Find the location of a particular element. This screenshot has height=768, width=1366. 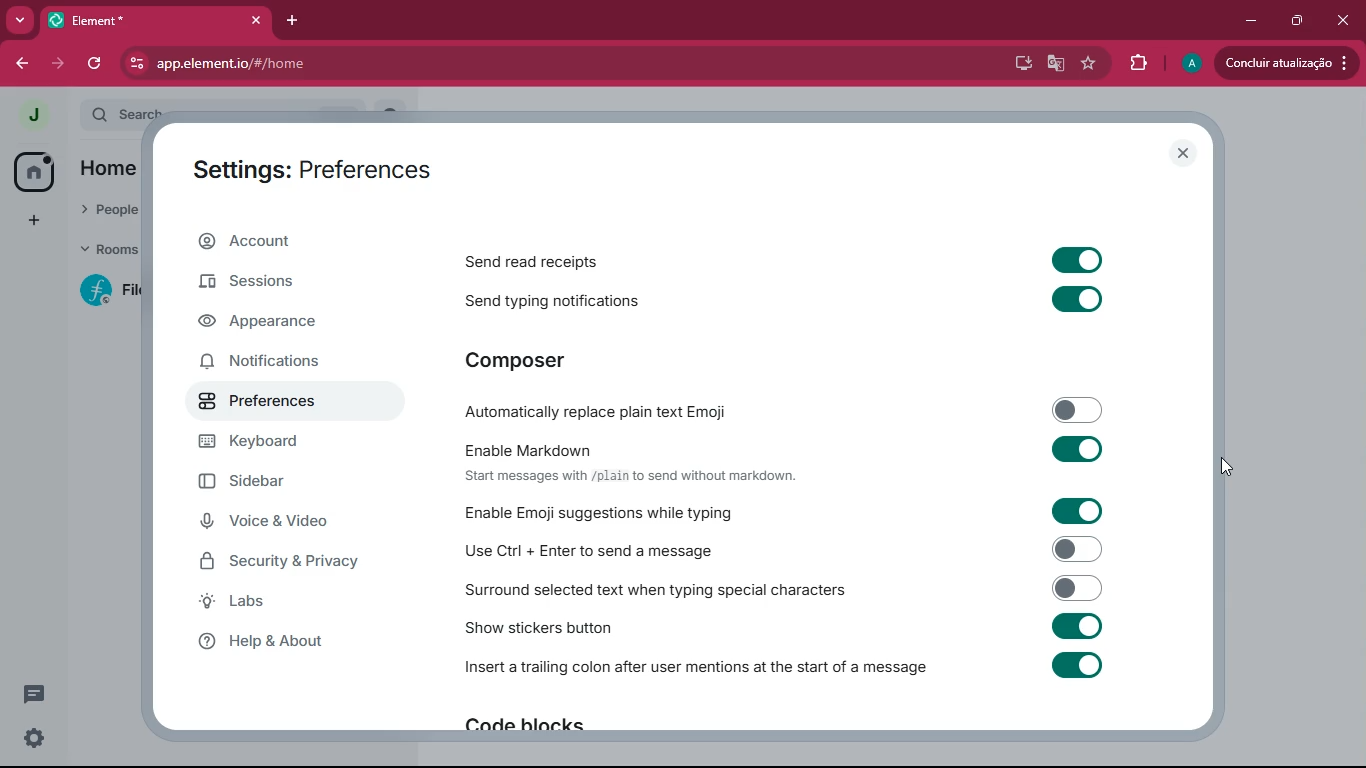

Insert a trailing colon after user mentions at the start of a message is located at coordinates (782, 674).